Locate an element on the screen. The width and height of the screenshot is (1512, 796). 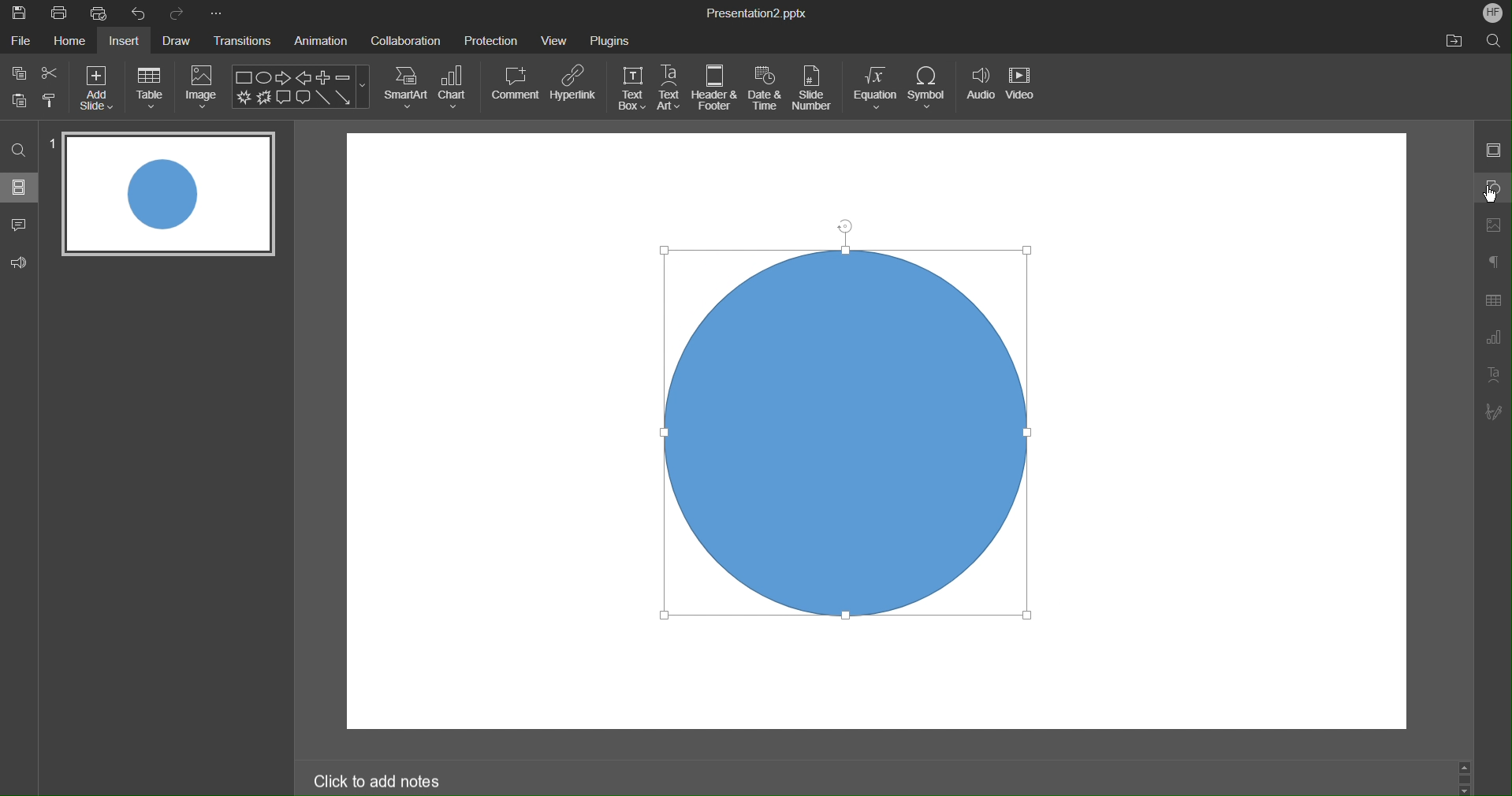
Copy Style is located at coordinates (50, 99).